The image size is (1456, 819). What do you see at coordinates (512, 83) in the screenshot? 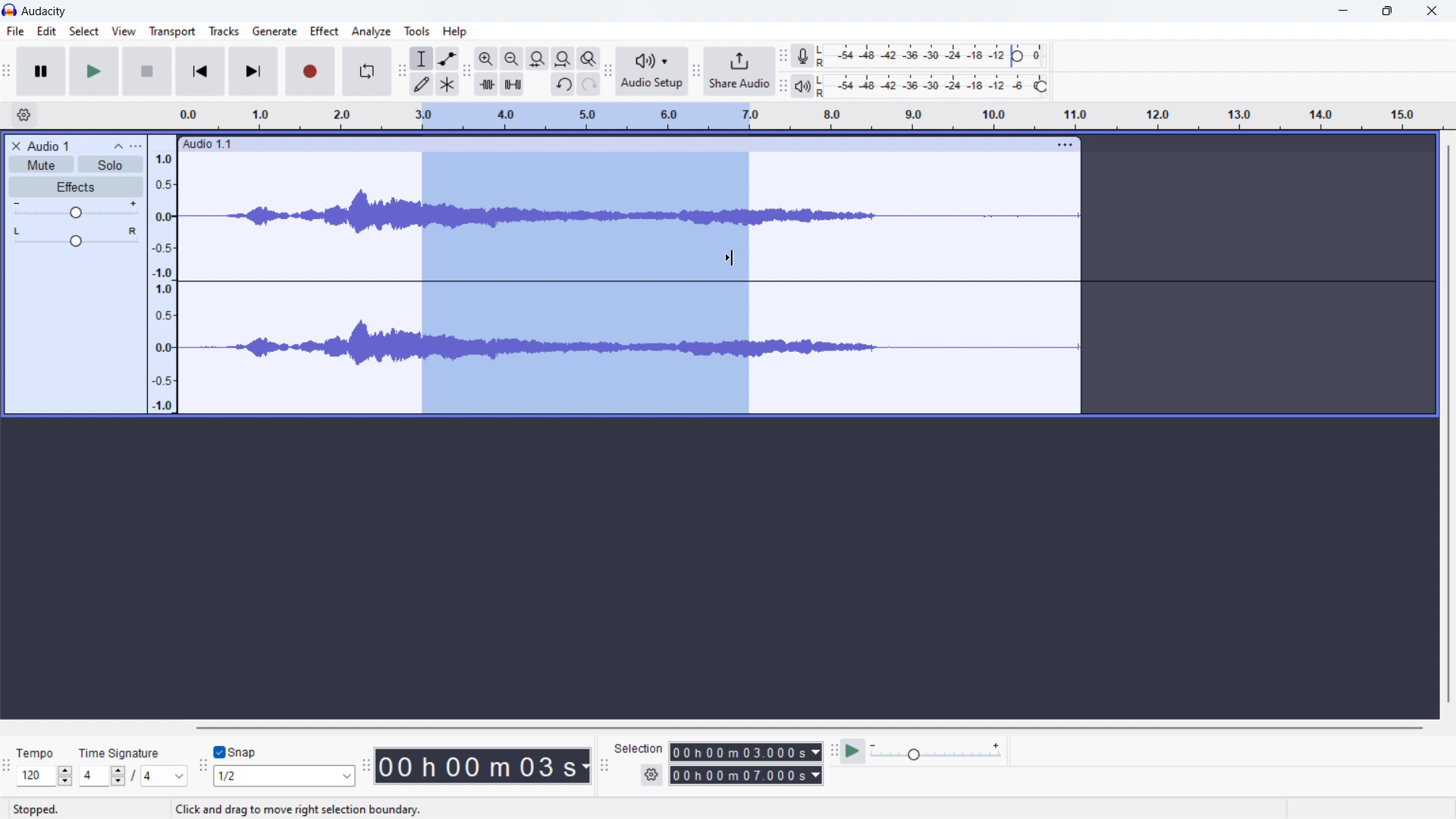
I see `mute selection` at bounding box center [512, 83].